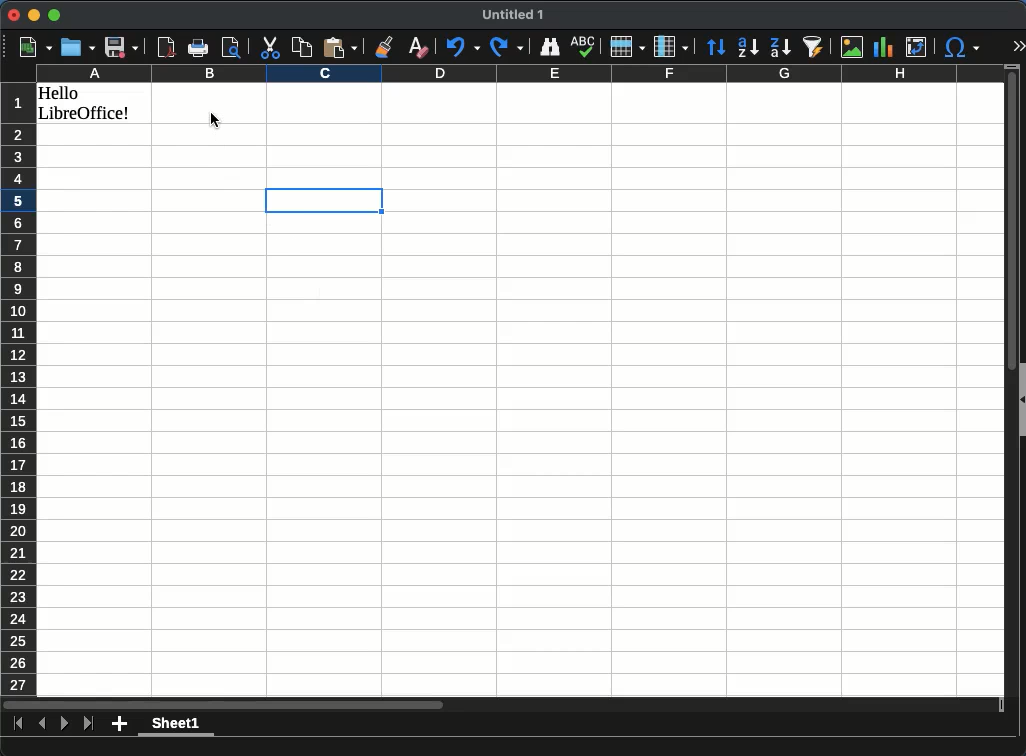 The image size is (1026, 756). What do you see at coordinates (268, 47) in the screenshot?
I see `cut` at bounding box center [268, 47].